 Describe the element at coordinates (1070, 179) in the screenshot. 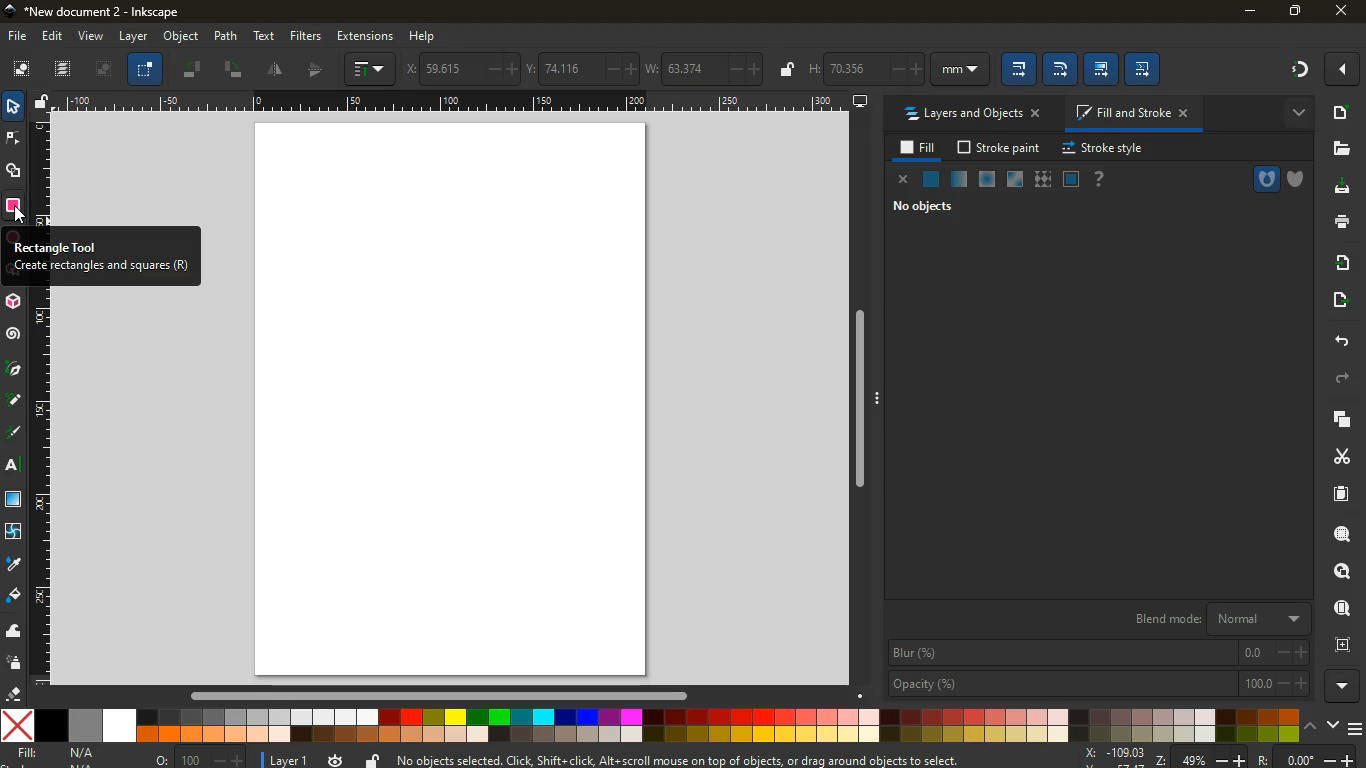

I see `glass` at that location.